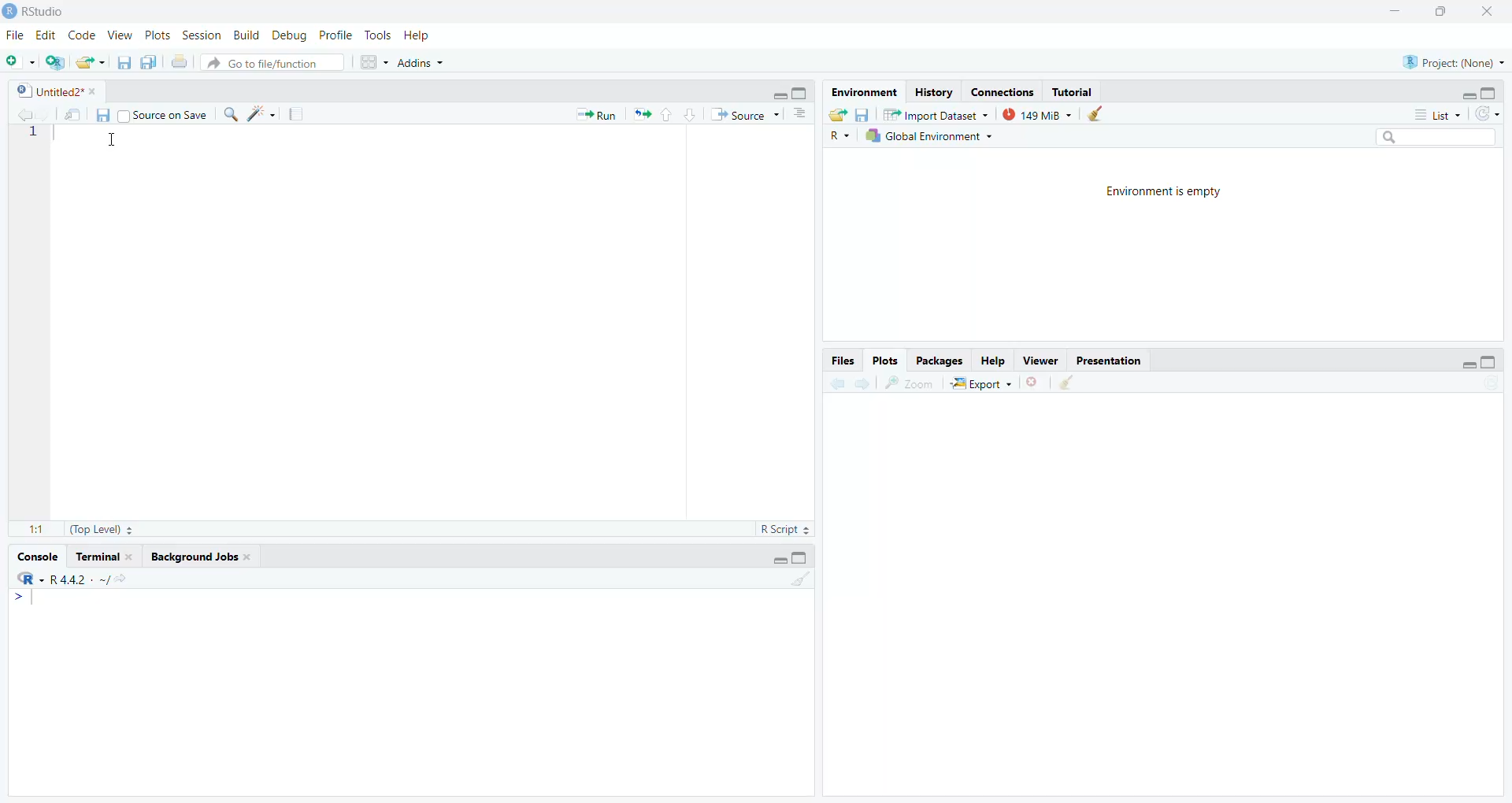  What do you see at coordinates (417, 37) in the screenshot?
I see `Help` at bounding box center [417, 37].